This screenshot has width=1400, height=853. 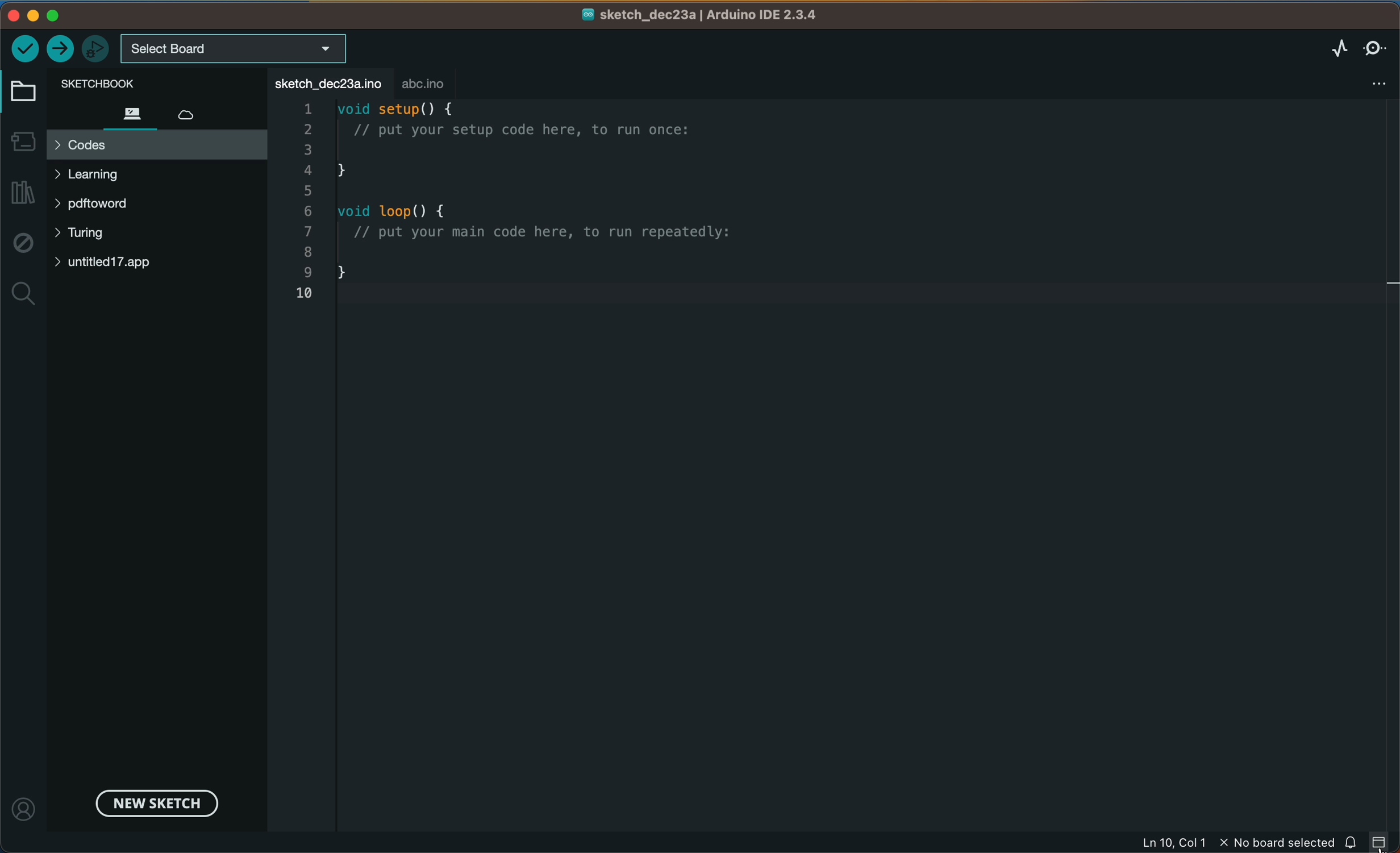 I want to click on serial plotter, so click(x=1335, y=47).